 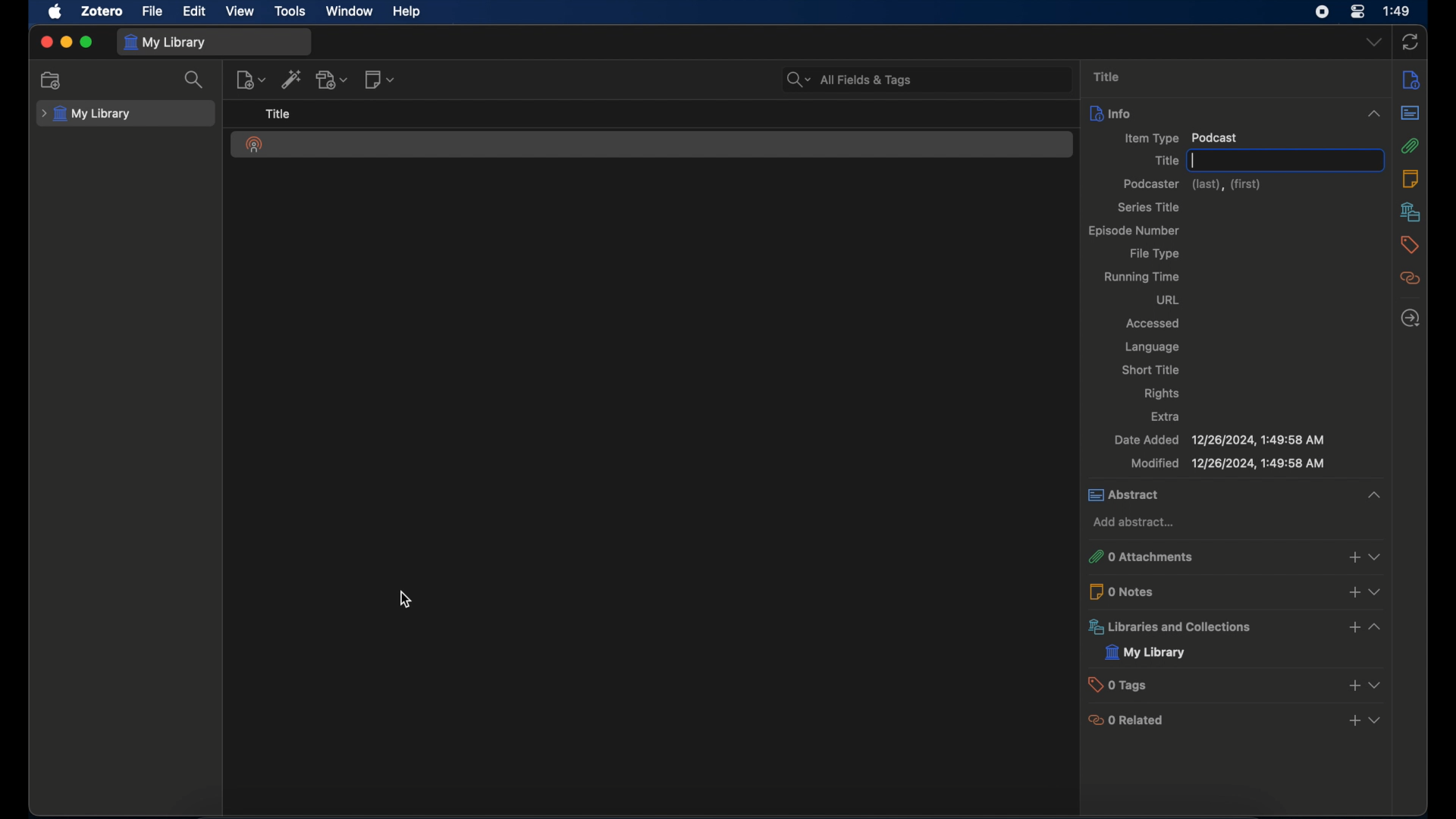 I want to click on file type, so click(x=1156, y=254).